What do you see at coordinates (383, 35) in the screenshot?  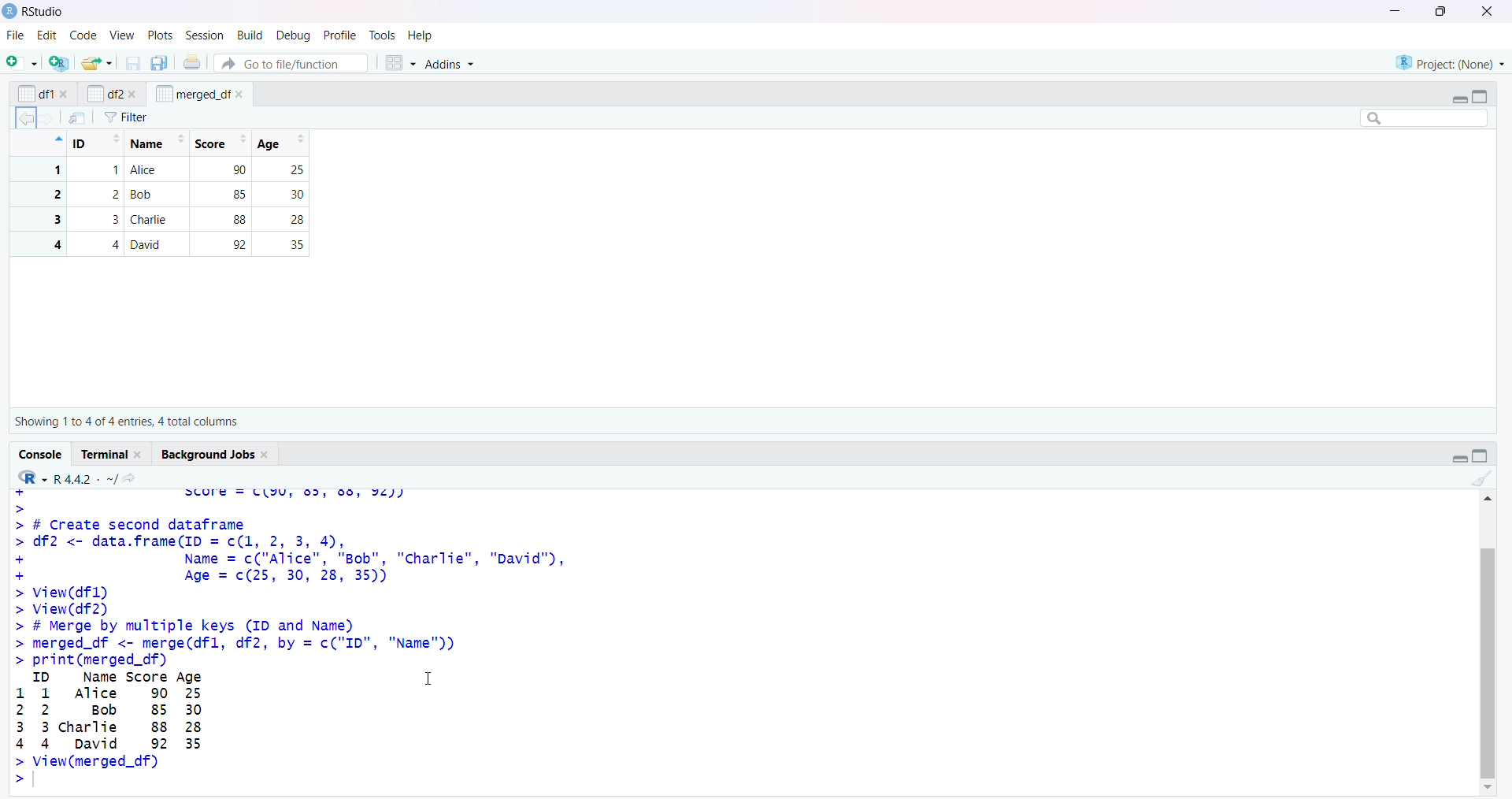 I see `tools` at bounding box center [383, 35].